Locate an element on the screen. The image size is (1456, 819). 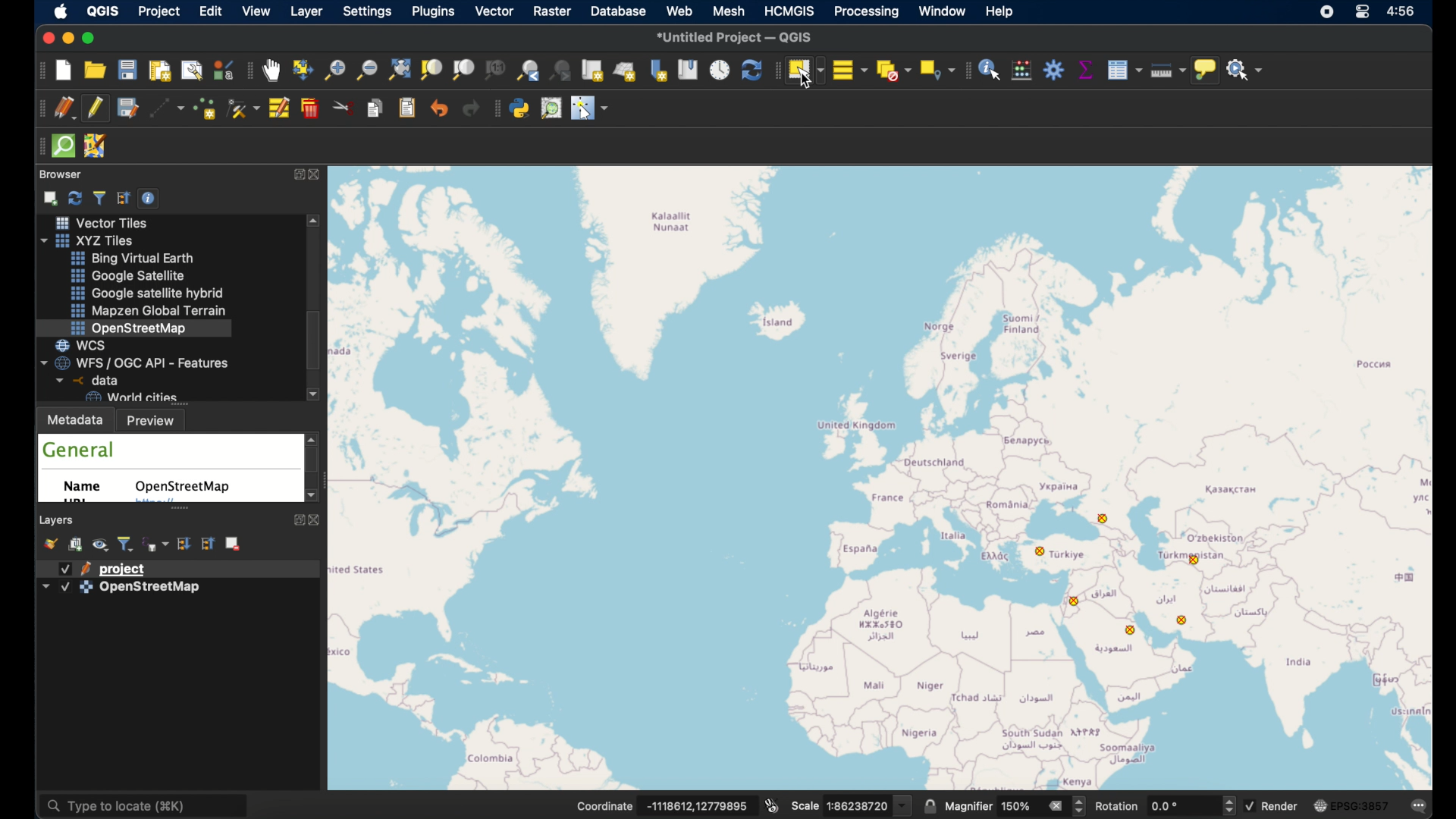
openstreetmap is located at coordinates (890, 475).